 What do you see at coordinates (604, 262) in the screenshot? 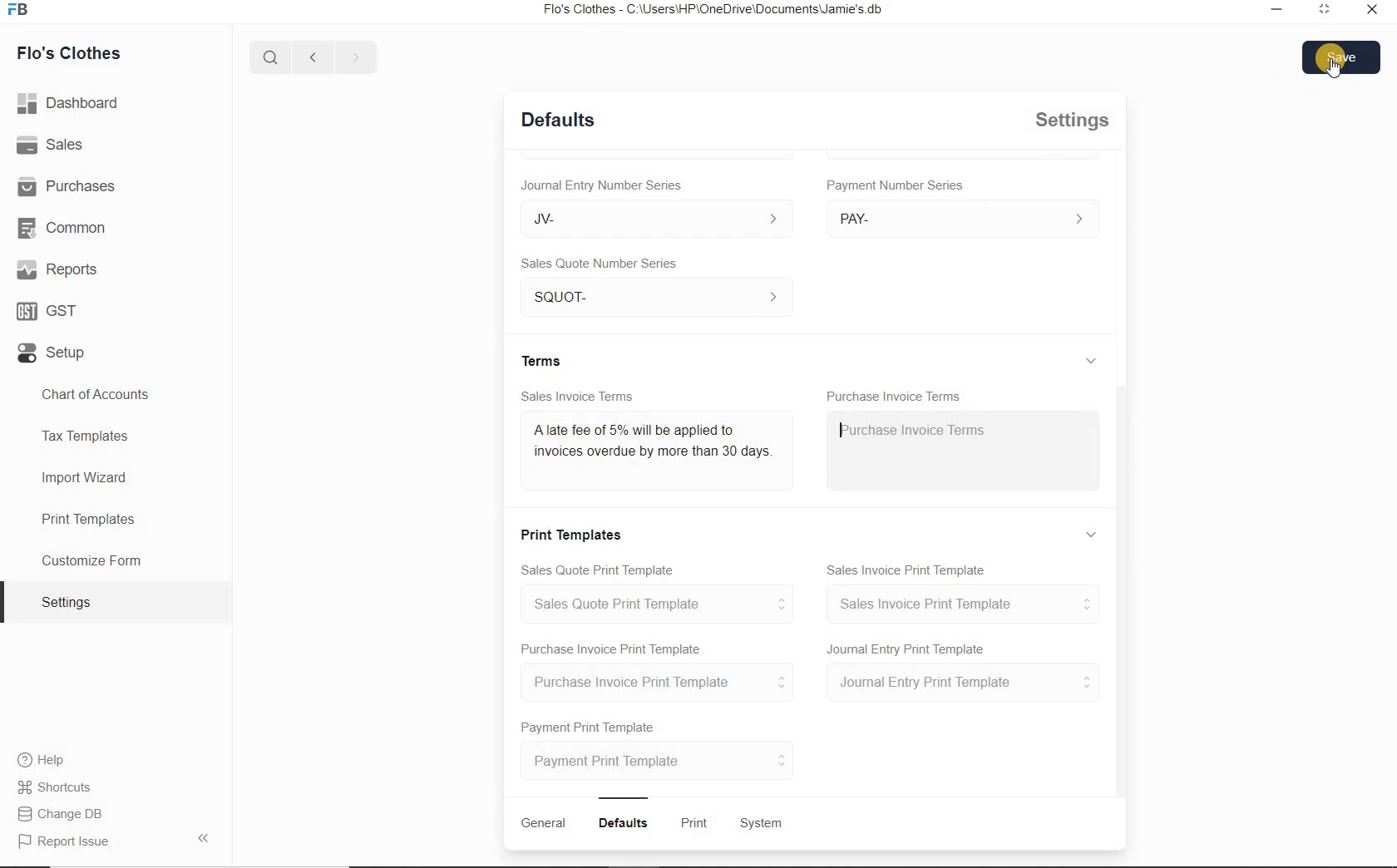
I see `Sales Quote Number Series` at bounding box center [604, 262].